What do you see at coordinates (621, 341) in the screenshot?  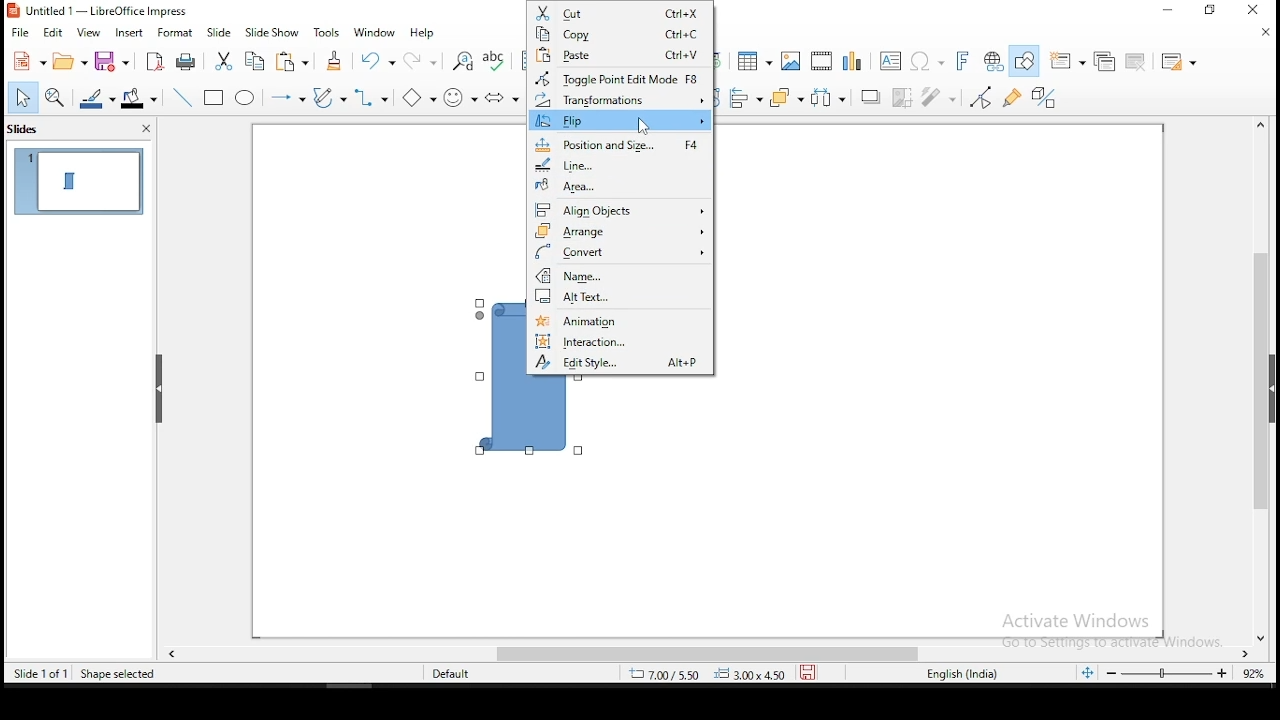 I see `interaction` at bounding box center [621, 341].